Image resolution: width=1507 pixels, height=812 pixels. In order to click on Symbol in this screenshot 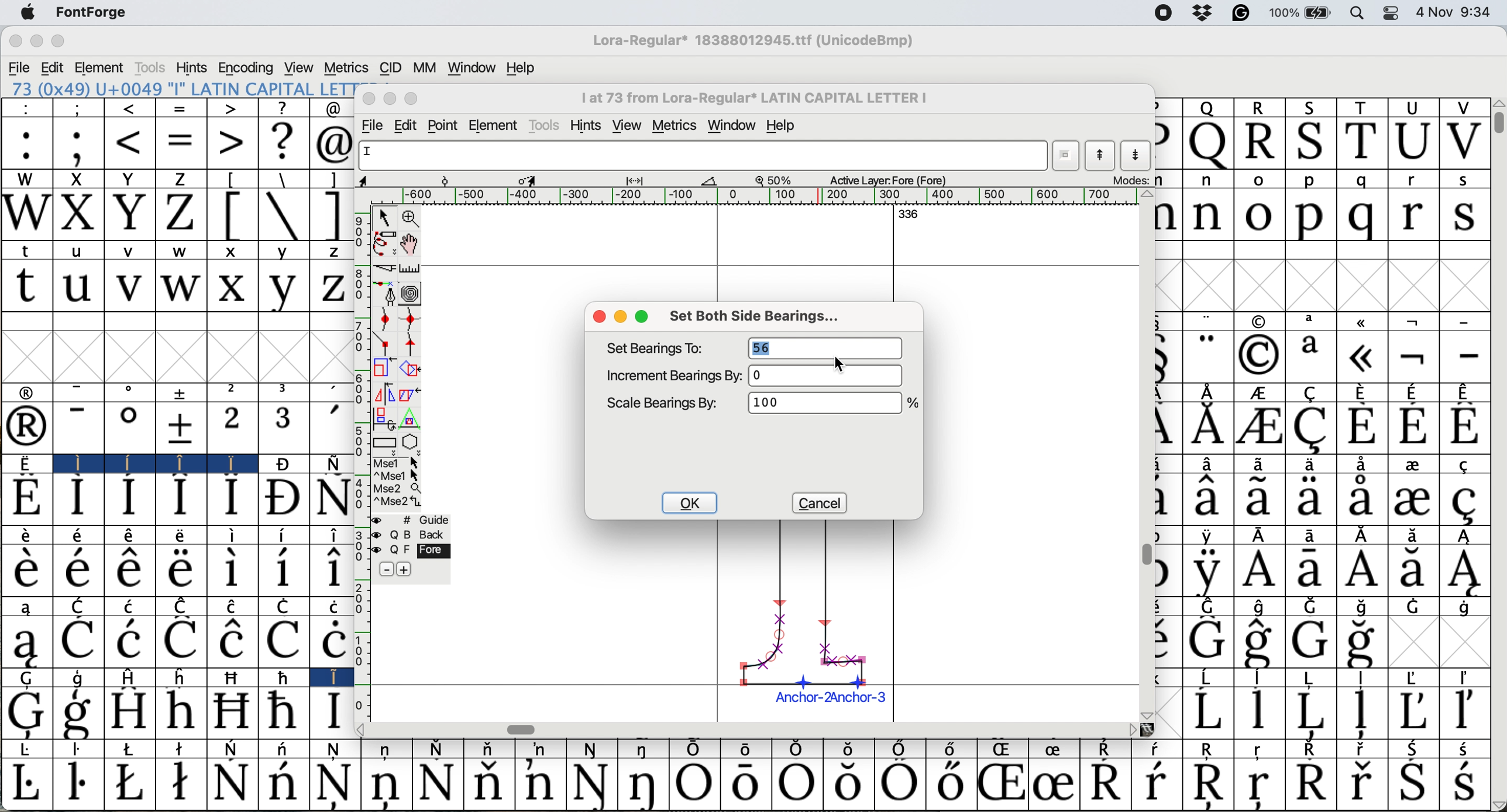, I will do `click(1360, 499)`.